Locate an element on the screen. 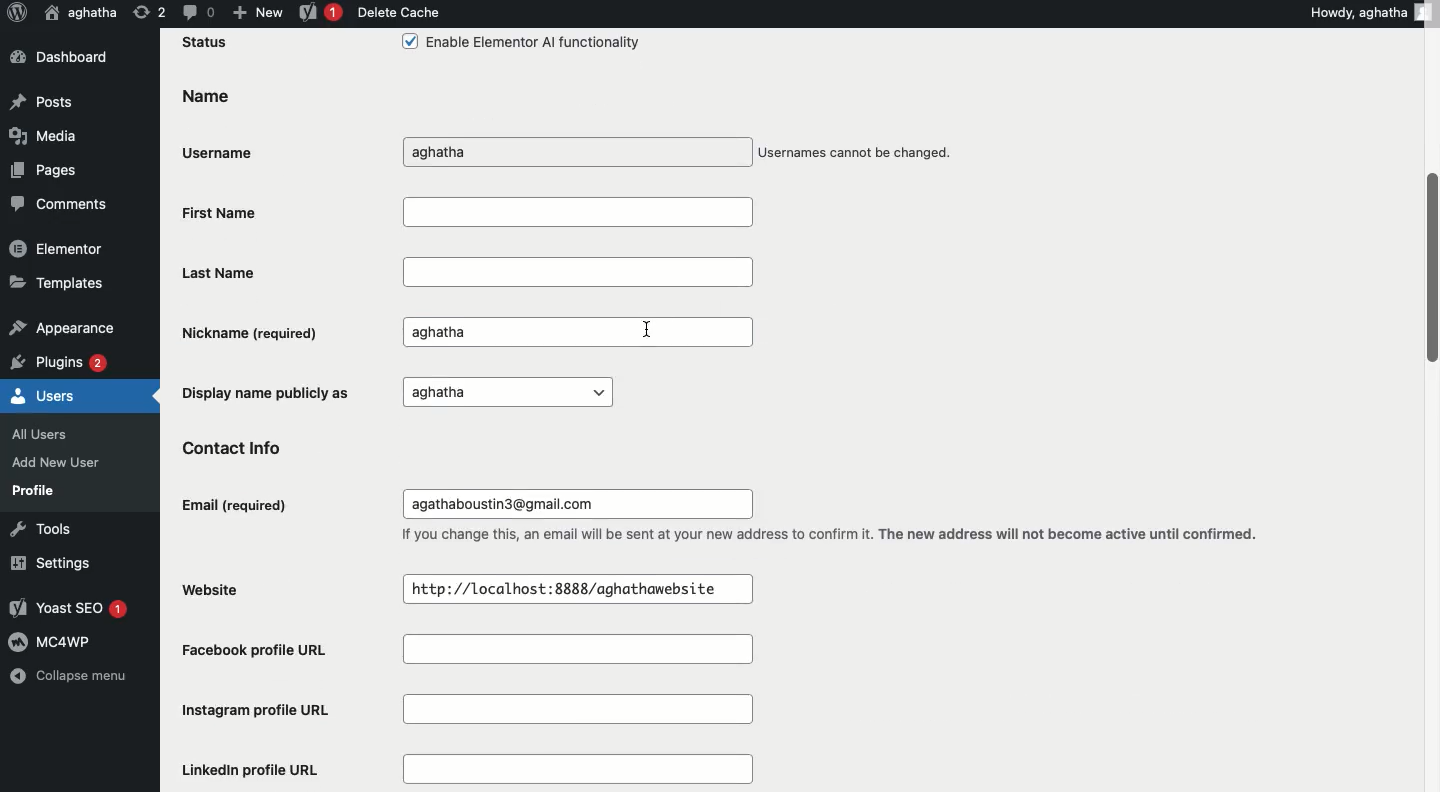 This screenshot has width=1440, height=792. Username is located at coordinates (565, 149).